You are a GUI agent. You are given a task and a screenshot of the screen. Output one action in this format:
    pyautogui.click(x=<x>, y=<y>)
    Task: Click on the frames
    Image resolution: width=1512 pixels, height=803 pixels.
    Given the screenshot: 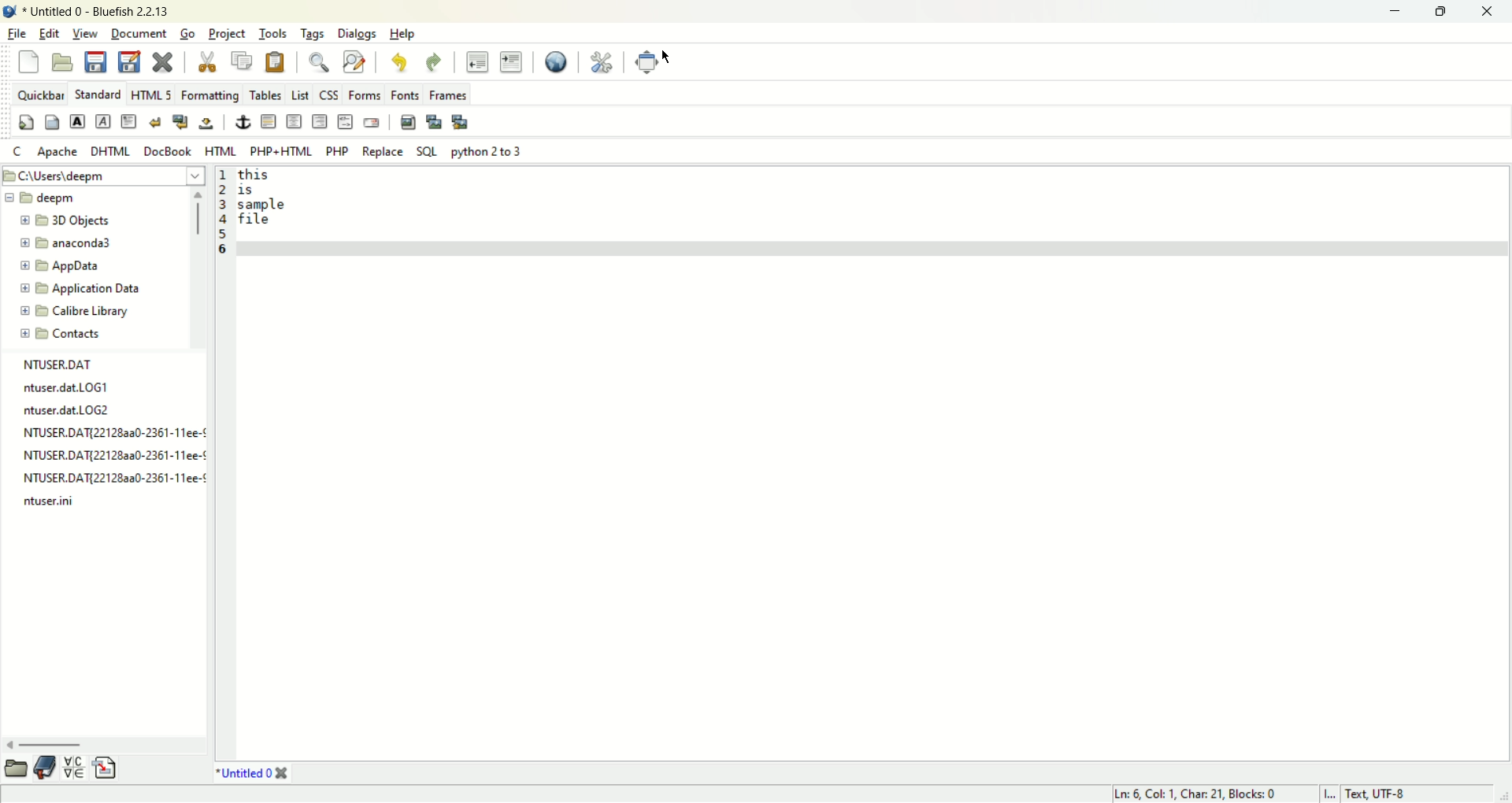 What is the action you would take?
    pyautogui.click(x=448, y=93)
    